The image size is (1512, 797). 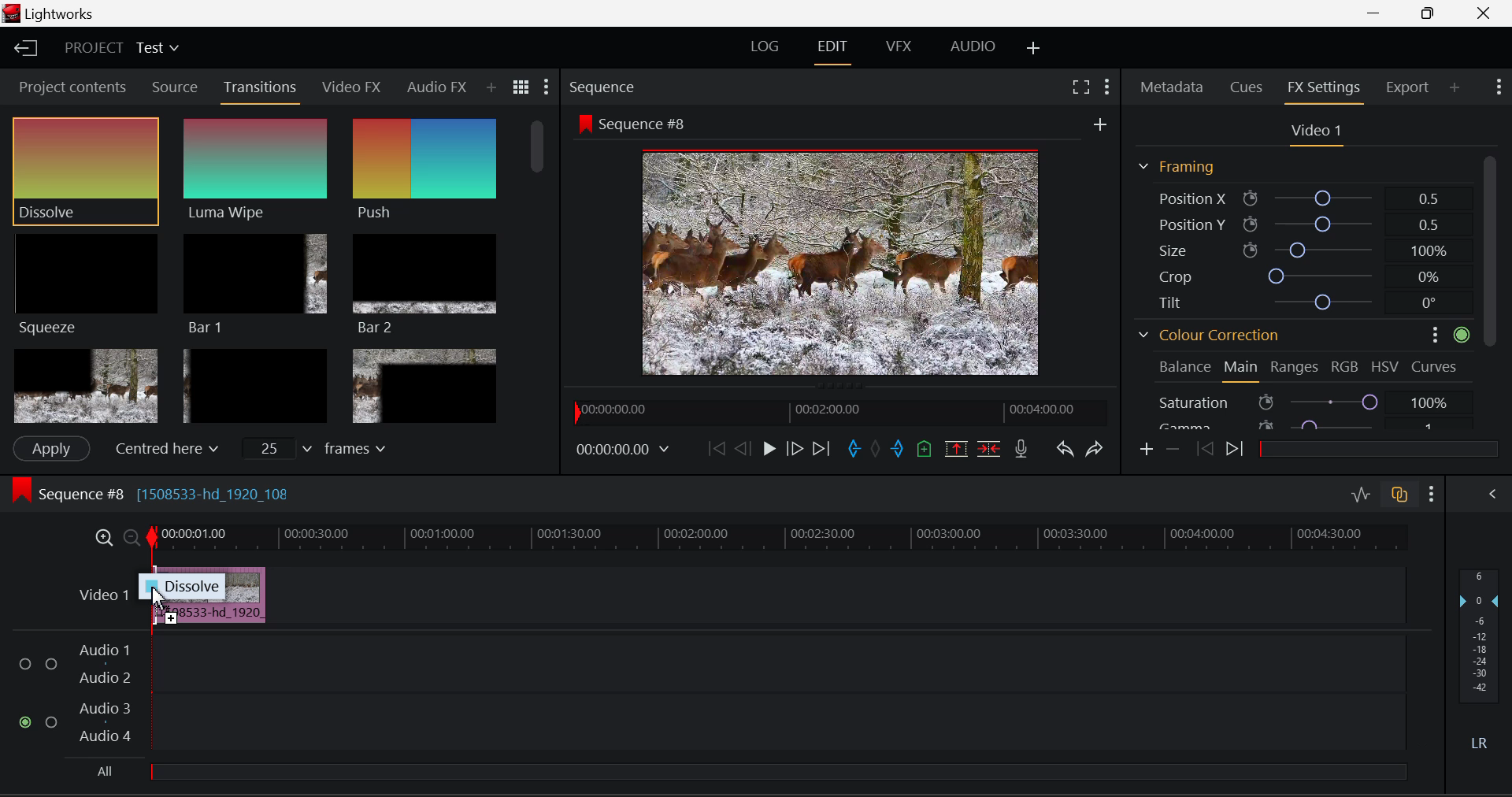 What do you see at coordinates (148, 493) in the screenshot?
I see `Sequence #8 Editing Section` at bounding box center [148, 493].